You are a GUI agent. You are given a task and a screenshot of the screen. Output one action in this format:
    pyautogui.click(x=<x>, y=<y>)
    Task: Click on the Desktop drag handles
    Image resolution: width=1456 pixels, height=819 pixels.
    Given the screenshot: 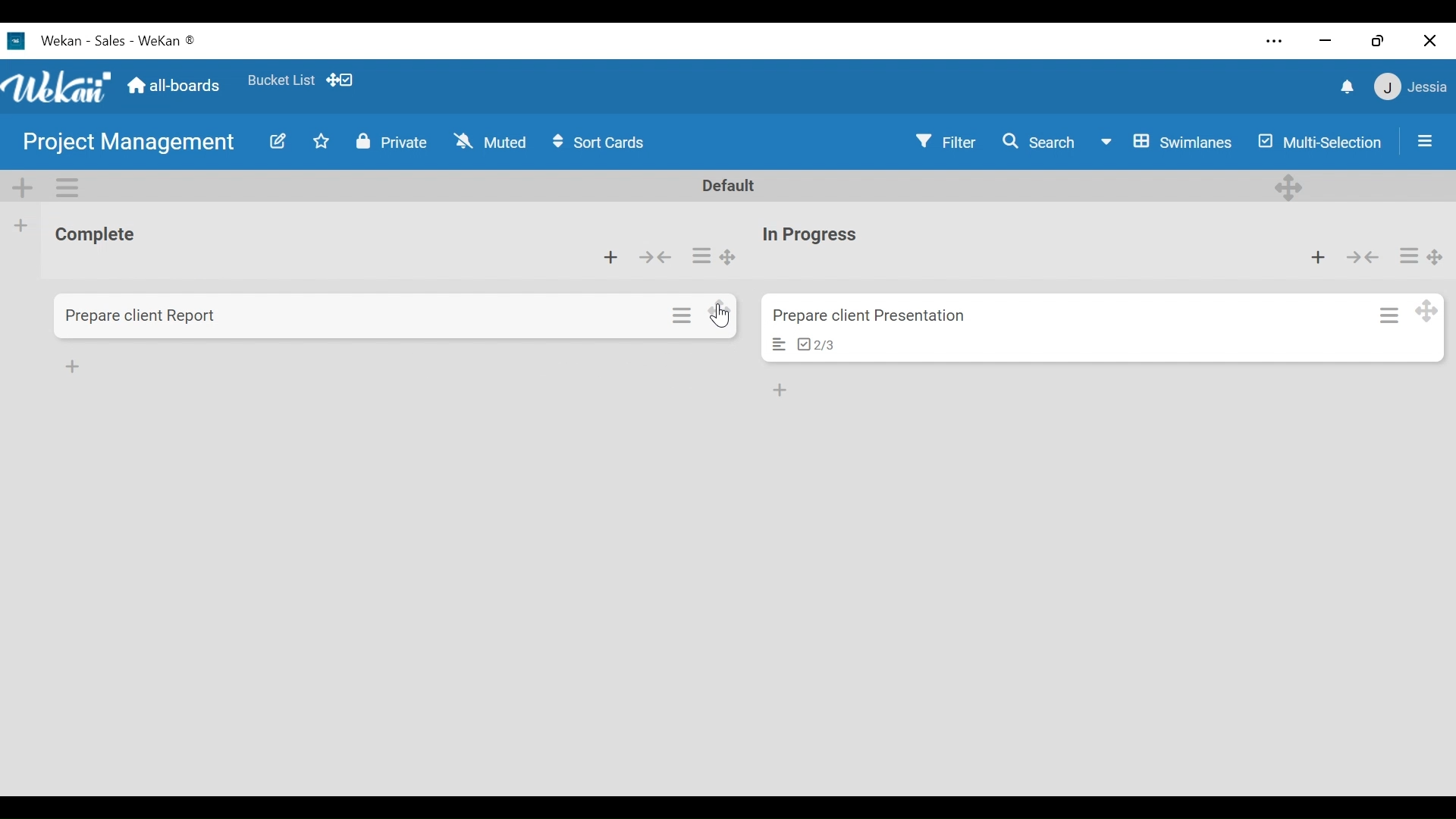 What is the action you would take?
    pyautogui.click(x=1436, y=256)
    